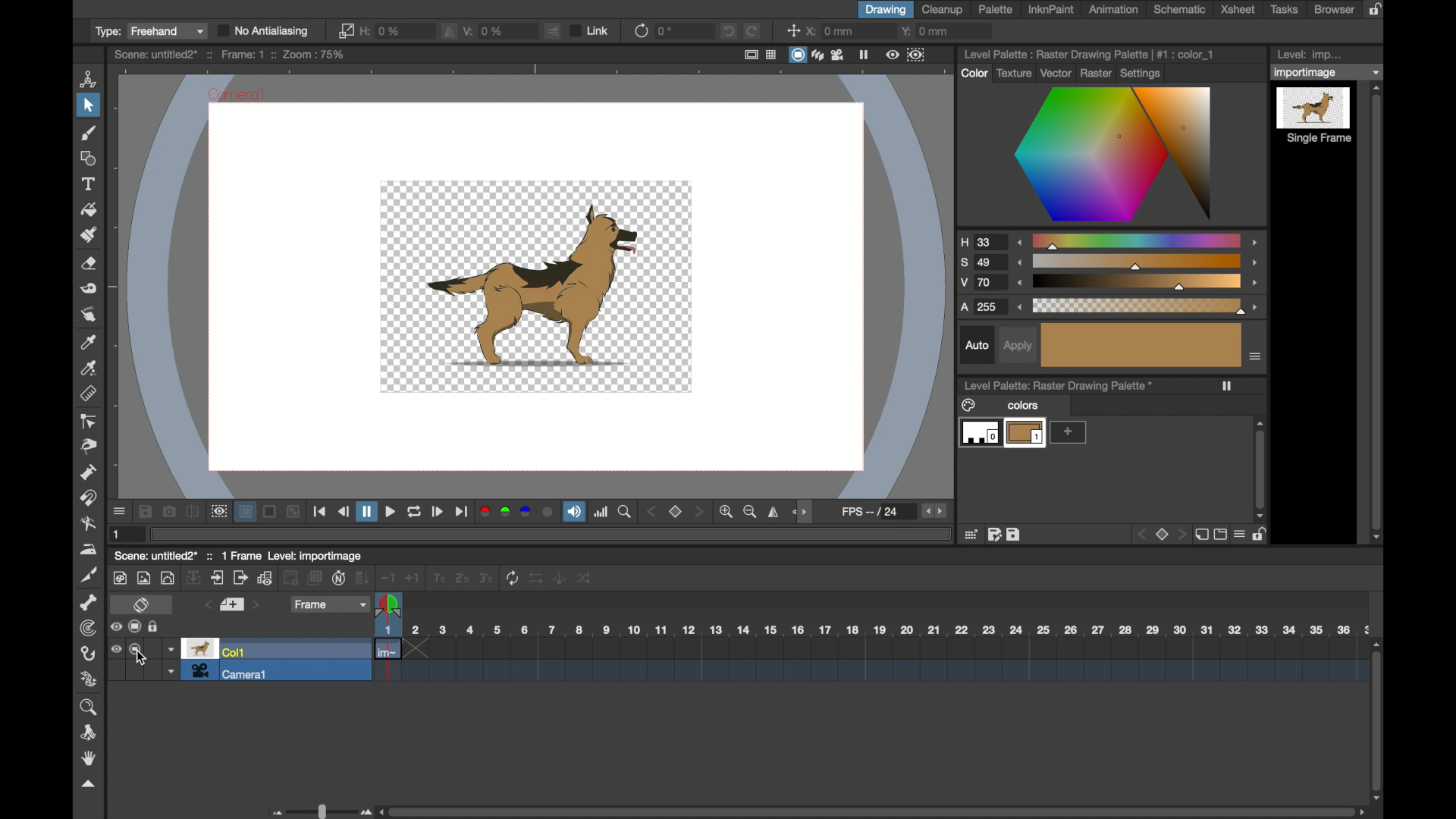 The image size is (1456, 819). Describe the element at coordinates (982, 242) in the screenshot. I see `H` at that location.